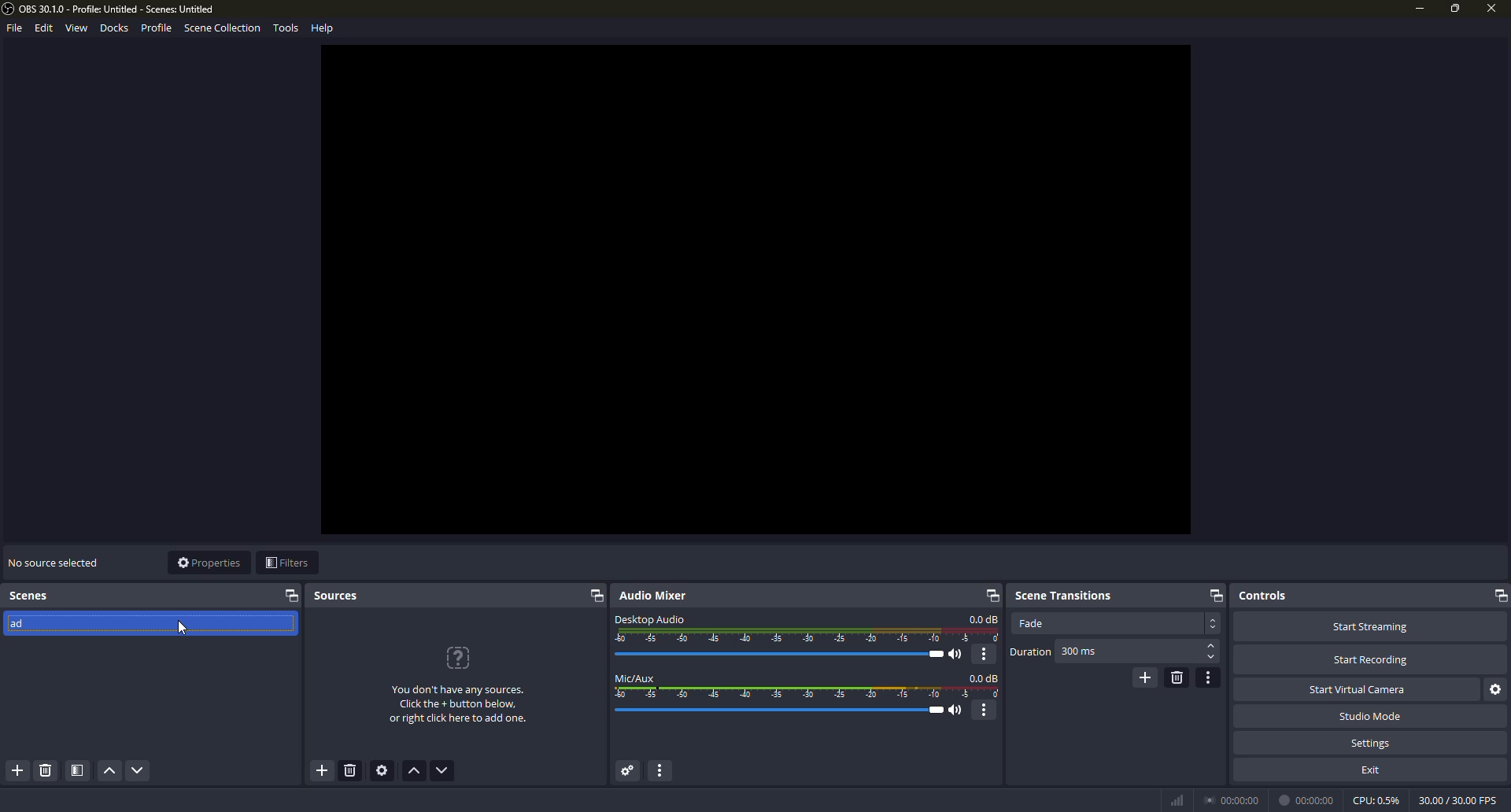  What do you see at coordinates (416, 772) in the screenshot?
I see `move source up` at bounding box center [416, 772].